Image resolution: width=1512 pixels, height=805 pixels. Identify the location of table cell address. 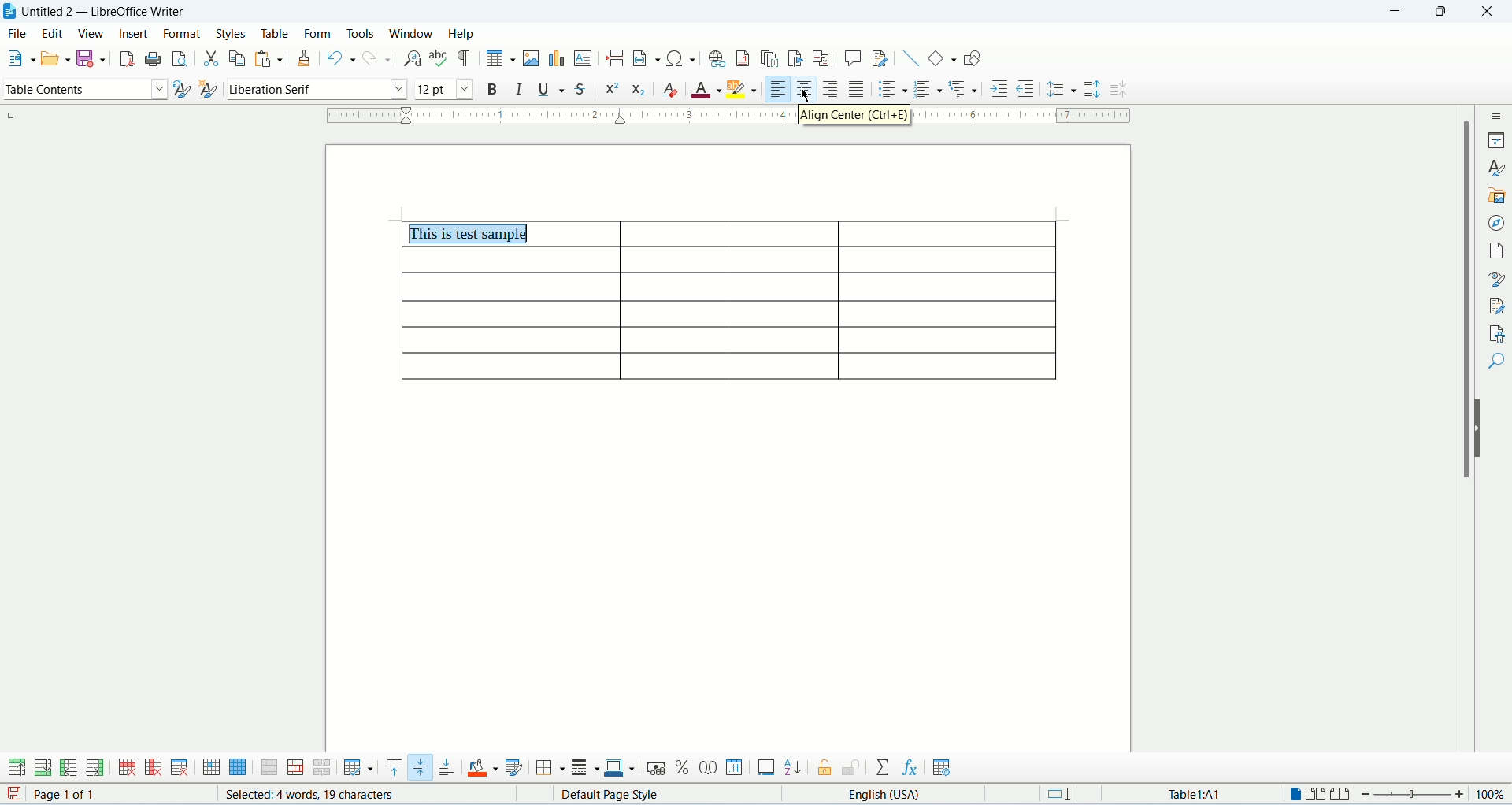
(1183, 793).